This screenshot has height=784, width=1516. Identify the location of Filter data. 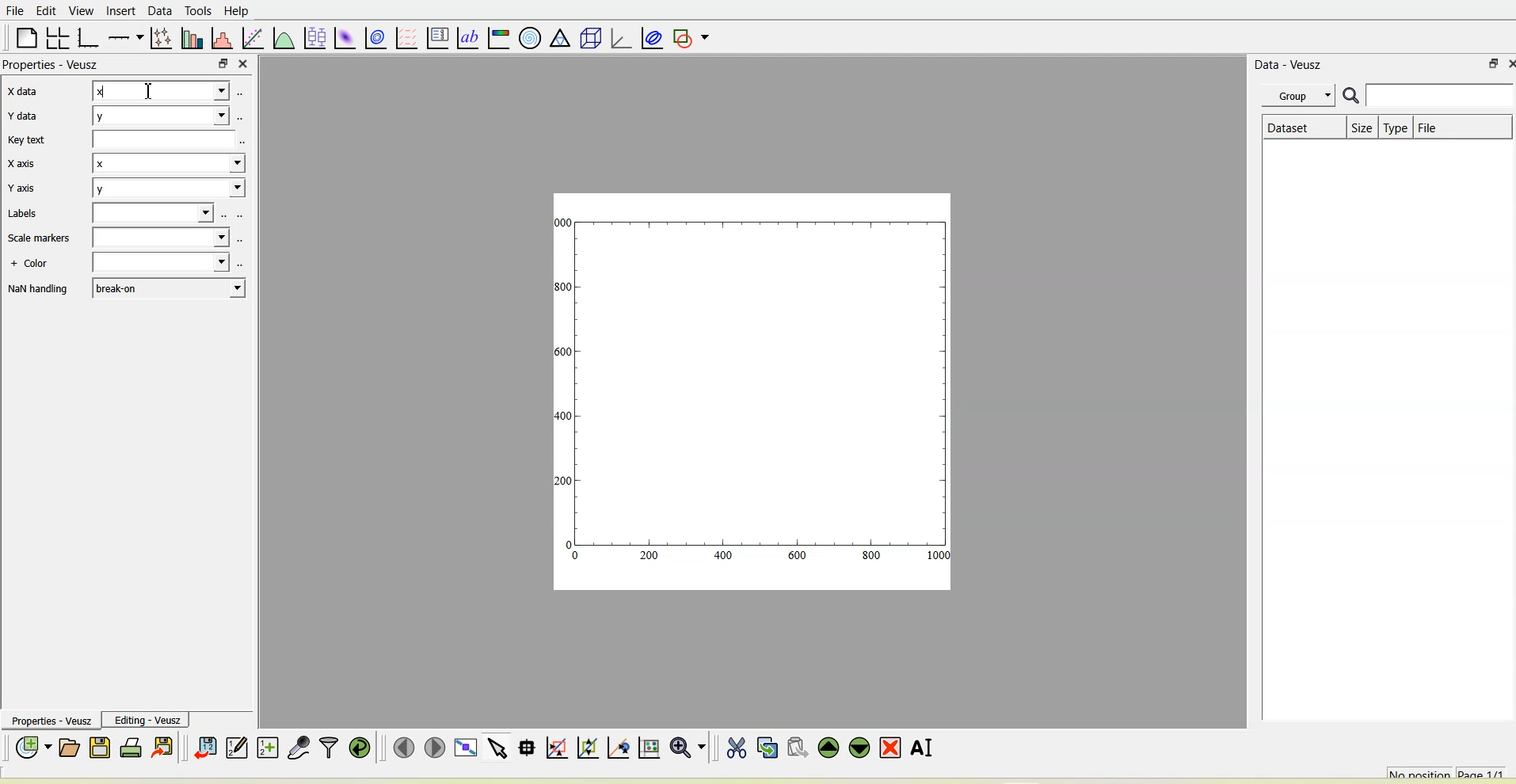
(329, 748).